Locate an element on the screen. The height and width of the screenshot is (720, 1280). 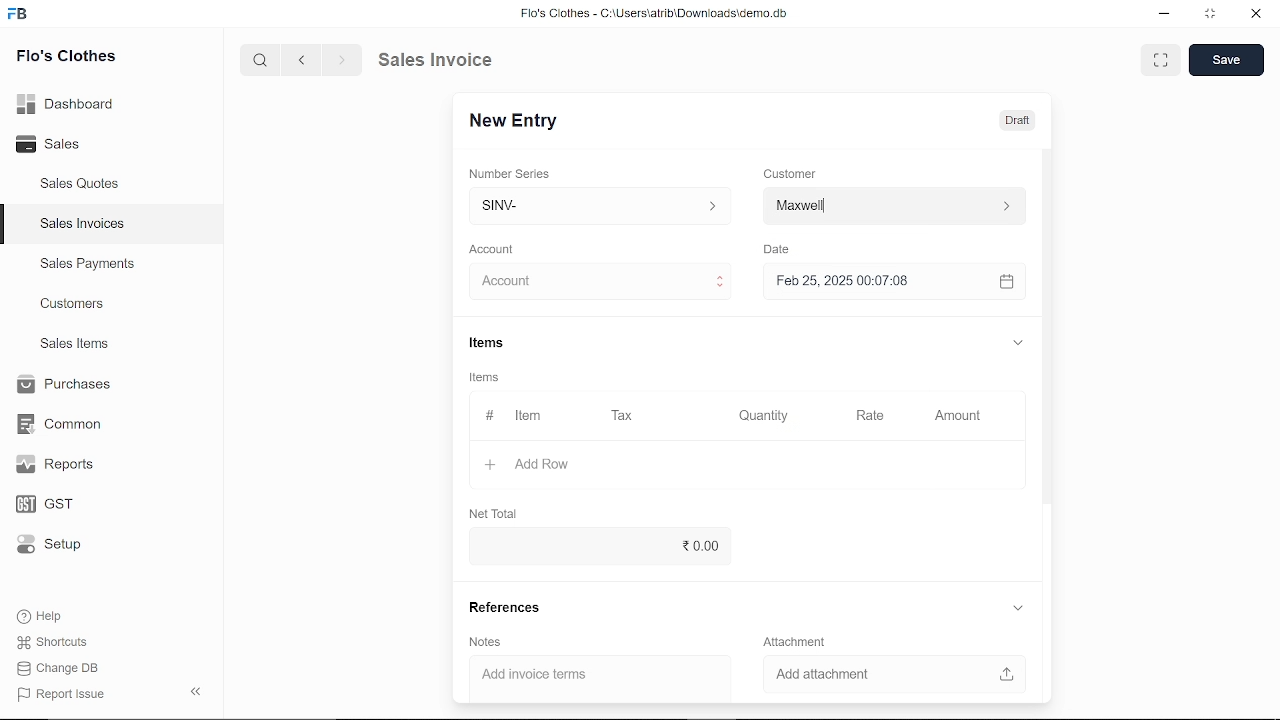
open calender is located at coordinates (1006, 282).